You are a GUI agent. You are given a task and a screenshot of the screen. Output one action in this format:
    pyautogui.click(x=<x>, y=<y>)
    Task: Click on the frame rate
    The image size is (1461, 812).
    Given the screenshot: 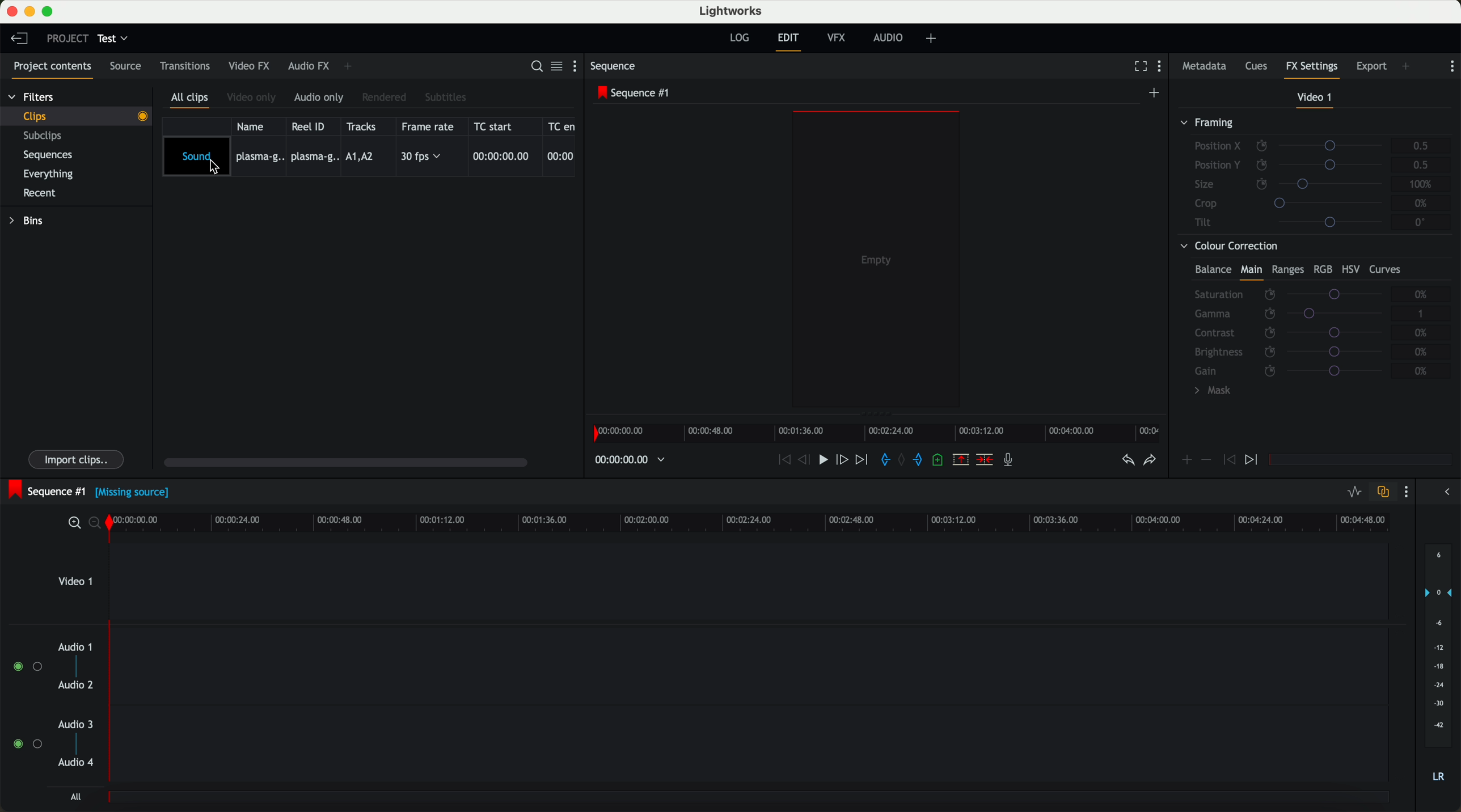 What is the action you would take?
    pyautogui.click(x=430, y=126)
    